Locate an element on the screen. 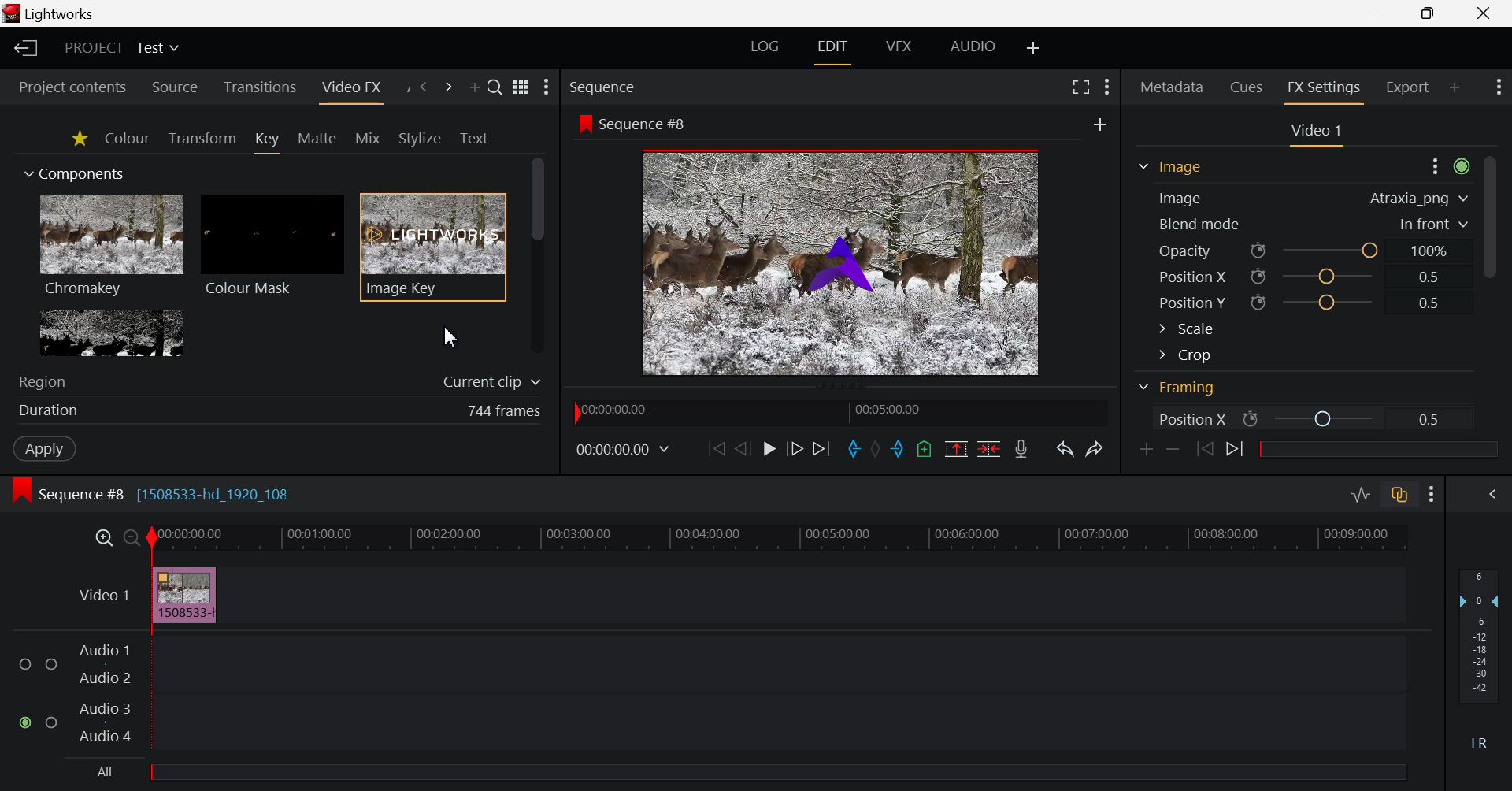 The width and height of the screenshot is (1512, 791). add is located at coordinates (1099, 126).